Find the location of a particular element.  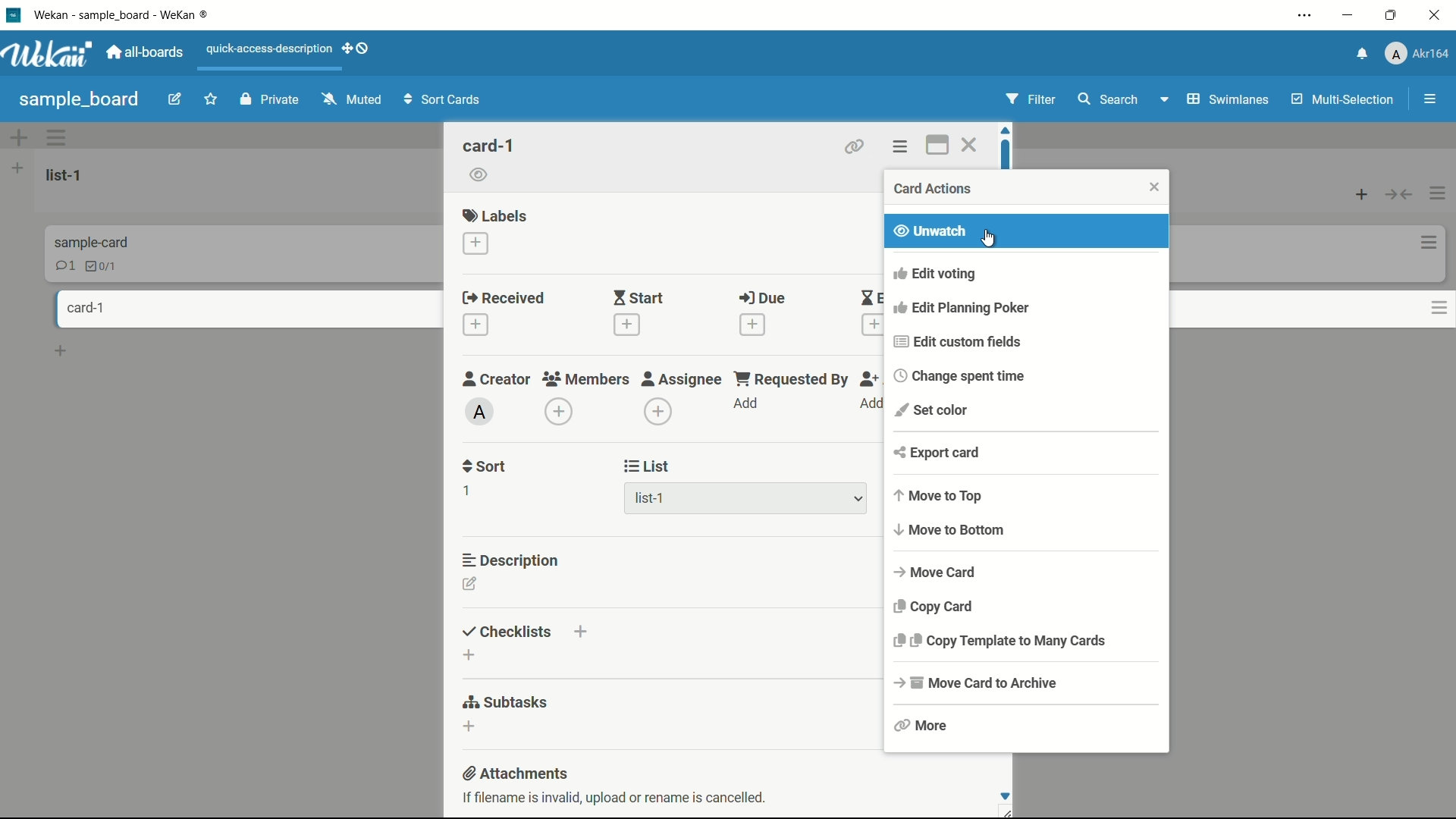

subtasks is located at coordinates (506, 704).